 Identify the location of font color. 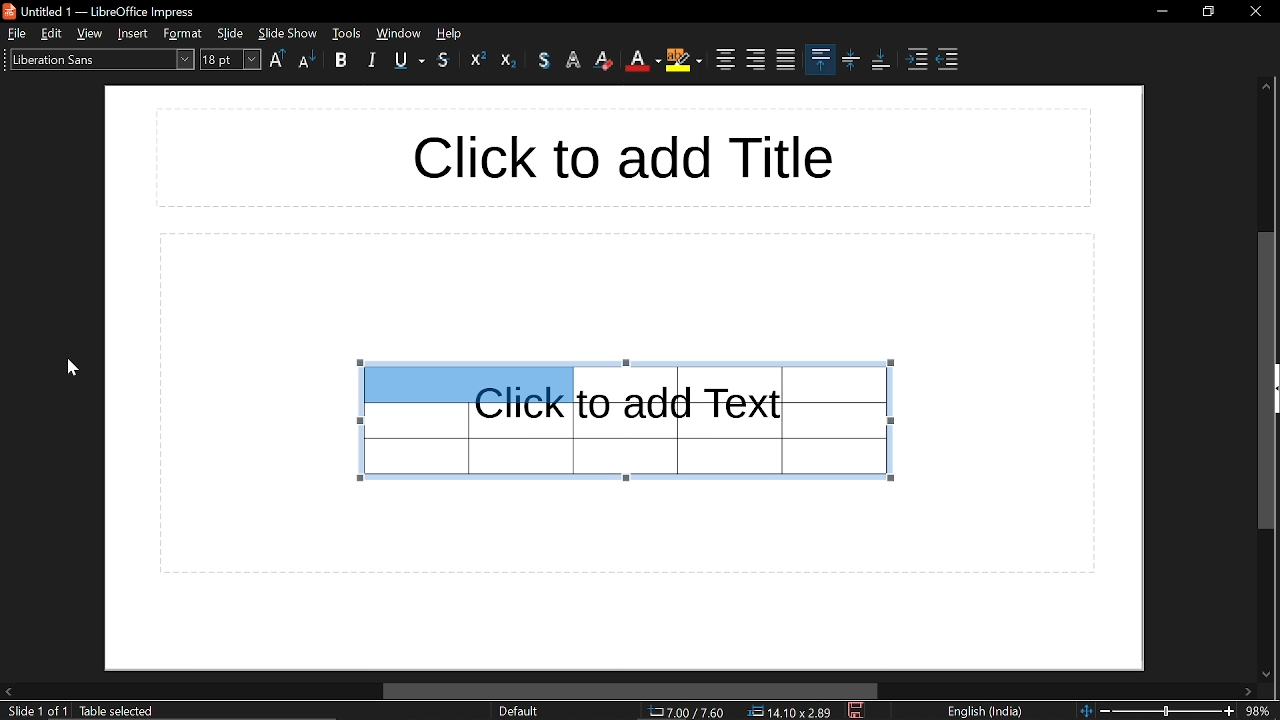
(642, 61).